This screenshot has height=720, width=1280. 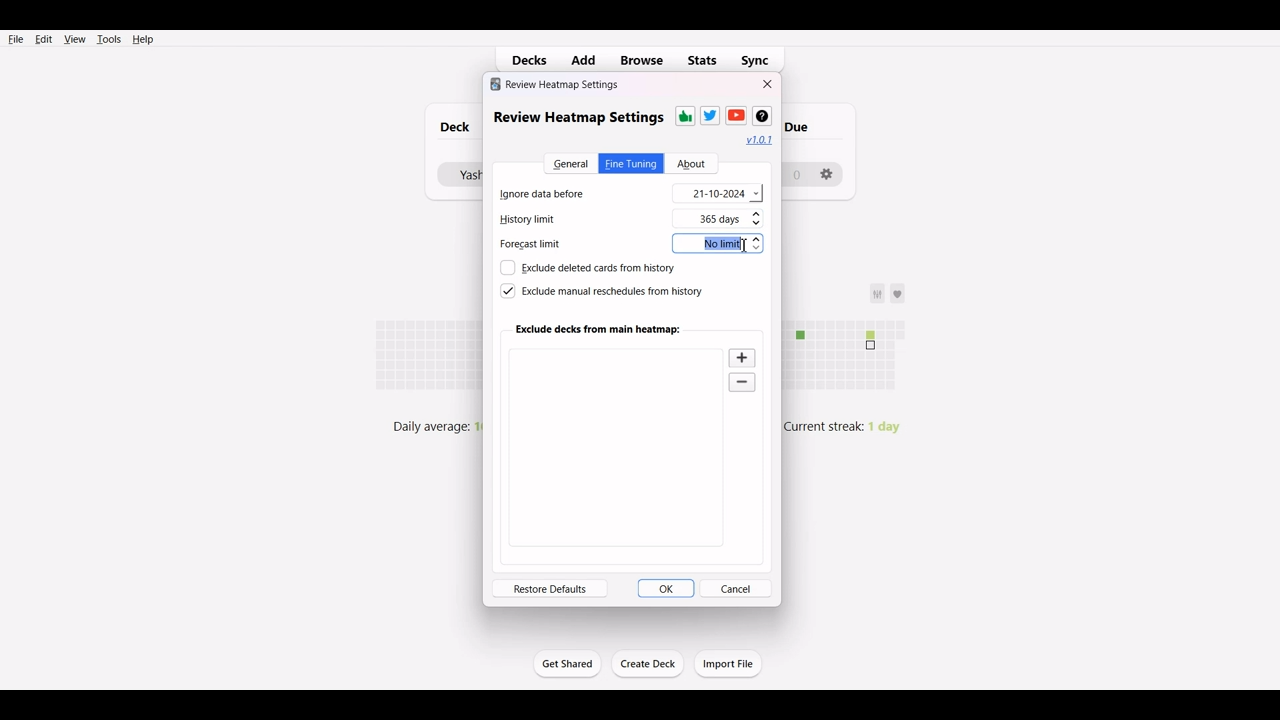 I want to click on Tools, so click(x=108, y=39).